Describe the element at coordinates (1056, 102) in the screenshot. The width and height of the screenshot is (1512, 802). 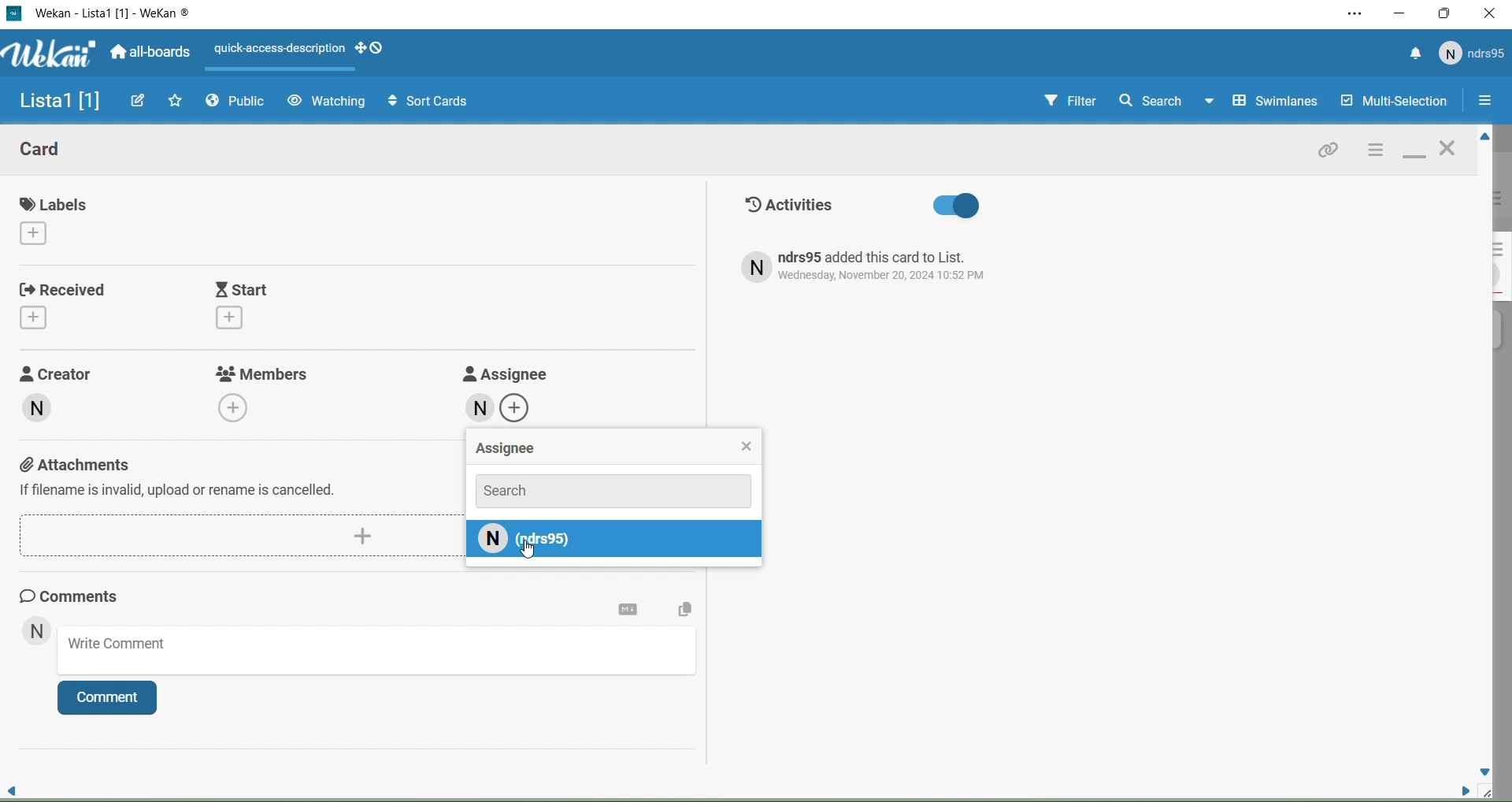
I see `Filter` at that location.